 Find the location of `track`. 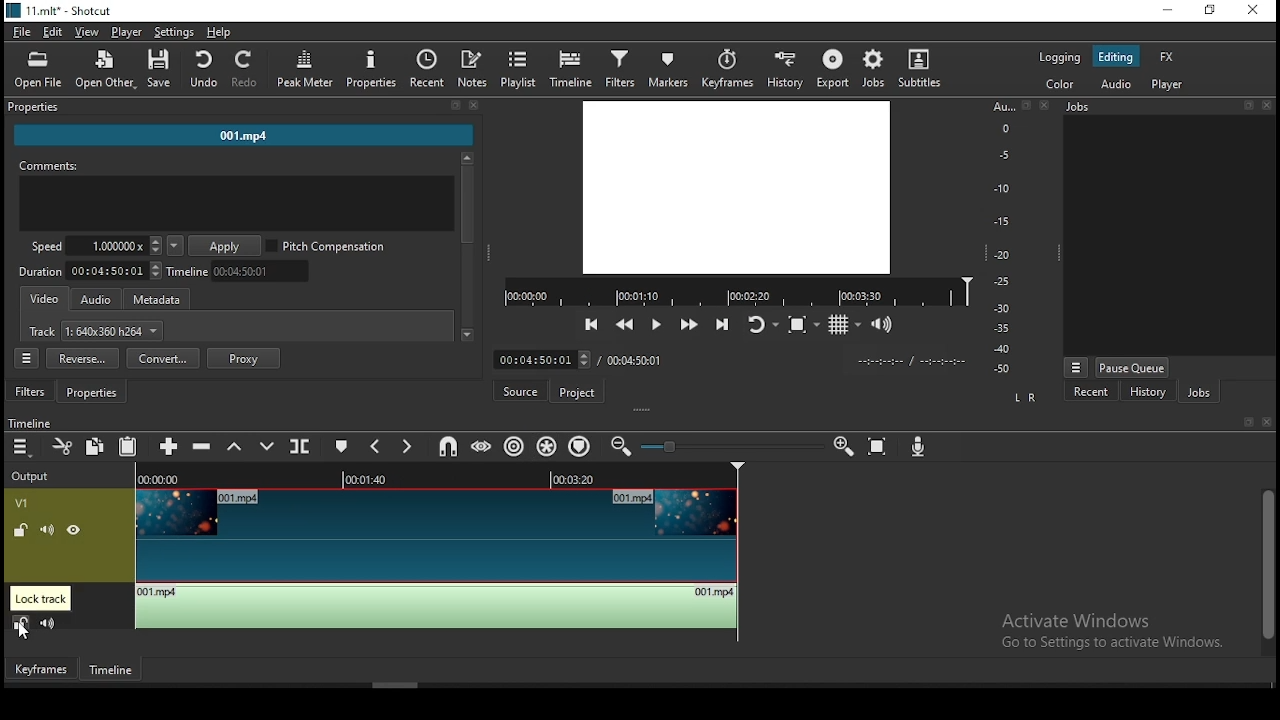

track is located at coordinates (95, 331).